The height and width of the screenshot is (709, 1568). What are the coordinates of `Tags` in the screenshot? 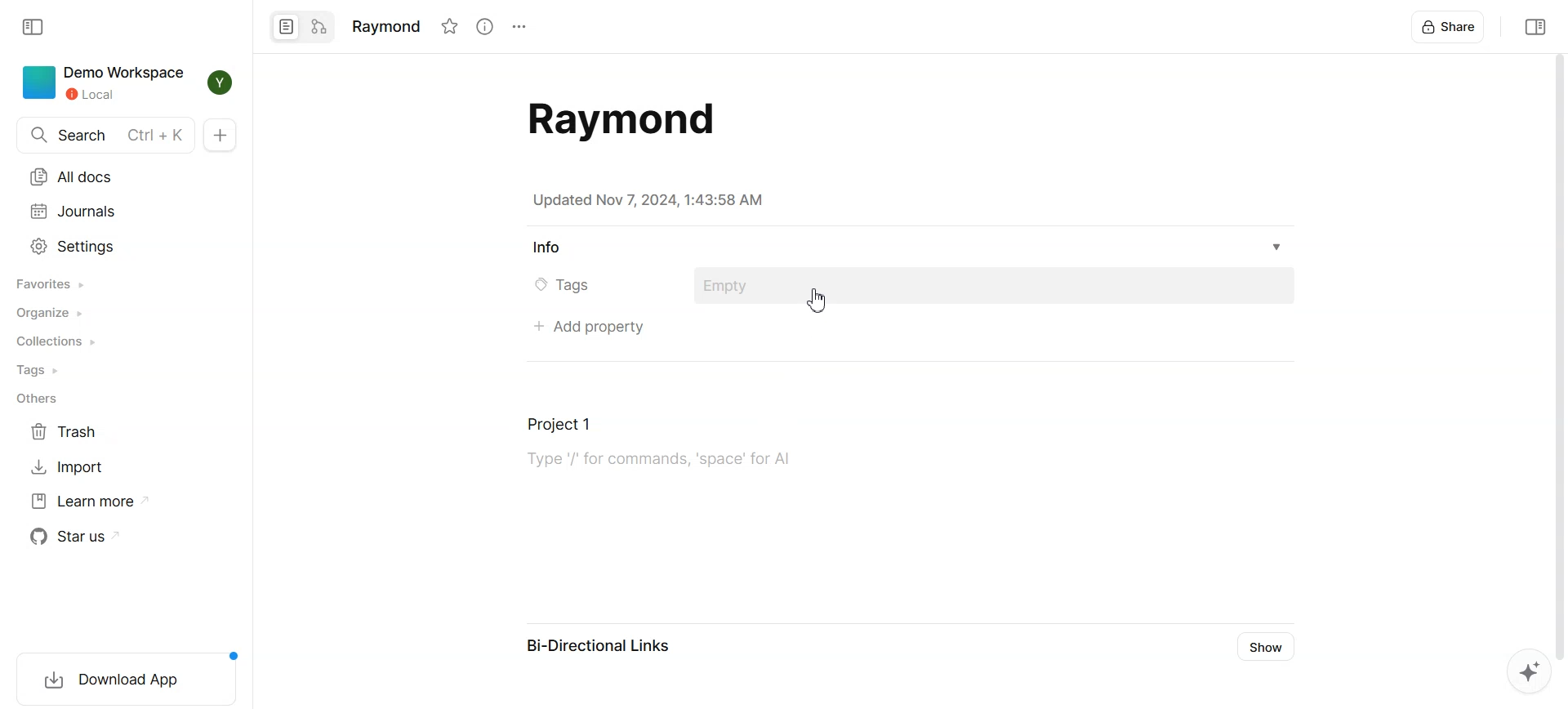 It's located at (42, 370).